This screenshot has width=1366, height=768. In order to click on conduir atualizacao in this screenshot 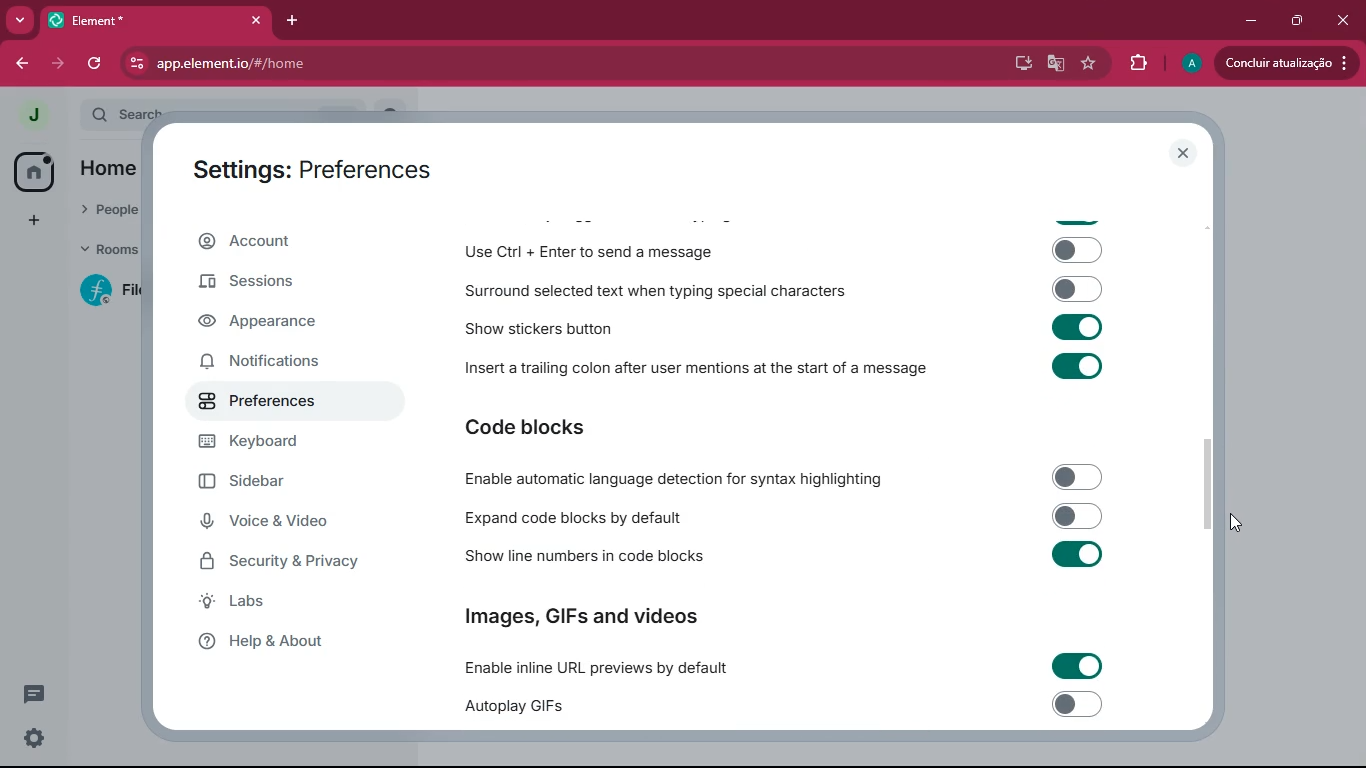, I will do `click(1287, 62)`.